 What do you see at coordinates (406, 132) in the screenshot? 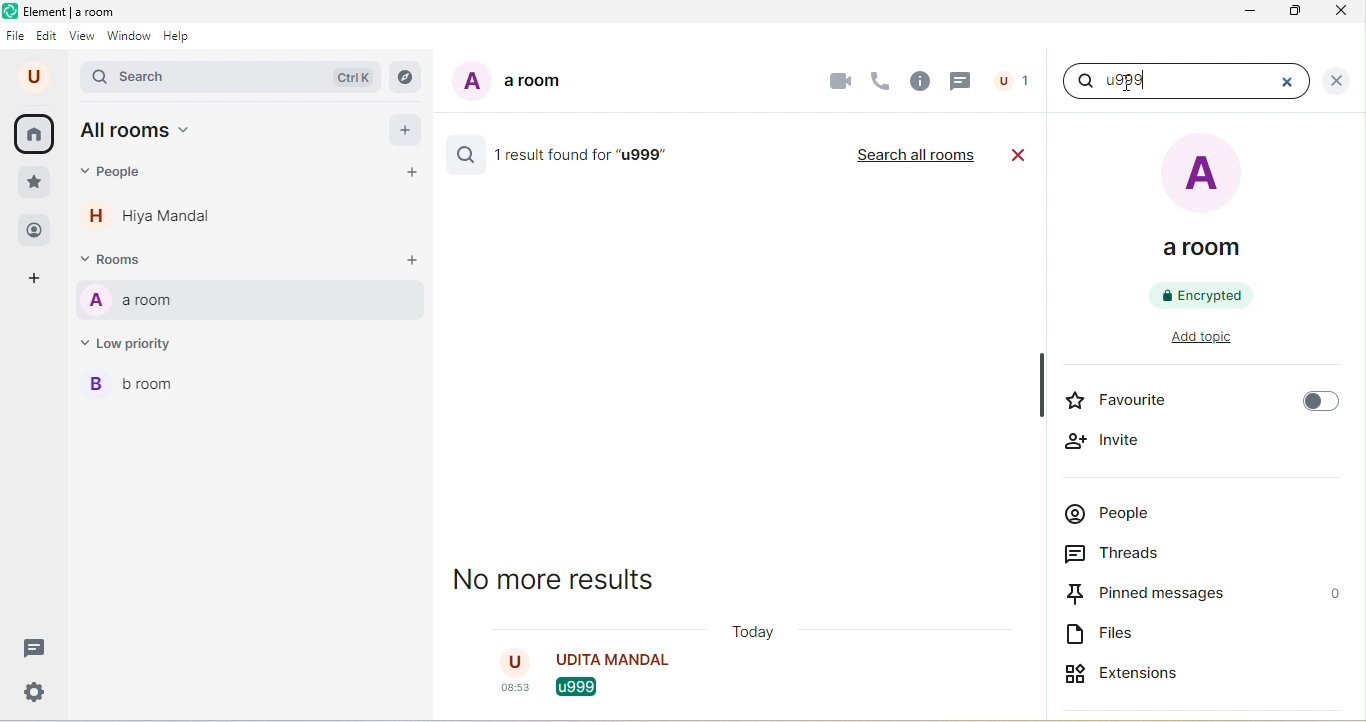
I see `add` at bounding box center [406, 132].